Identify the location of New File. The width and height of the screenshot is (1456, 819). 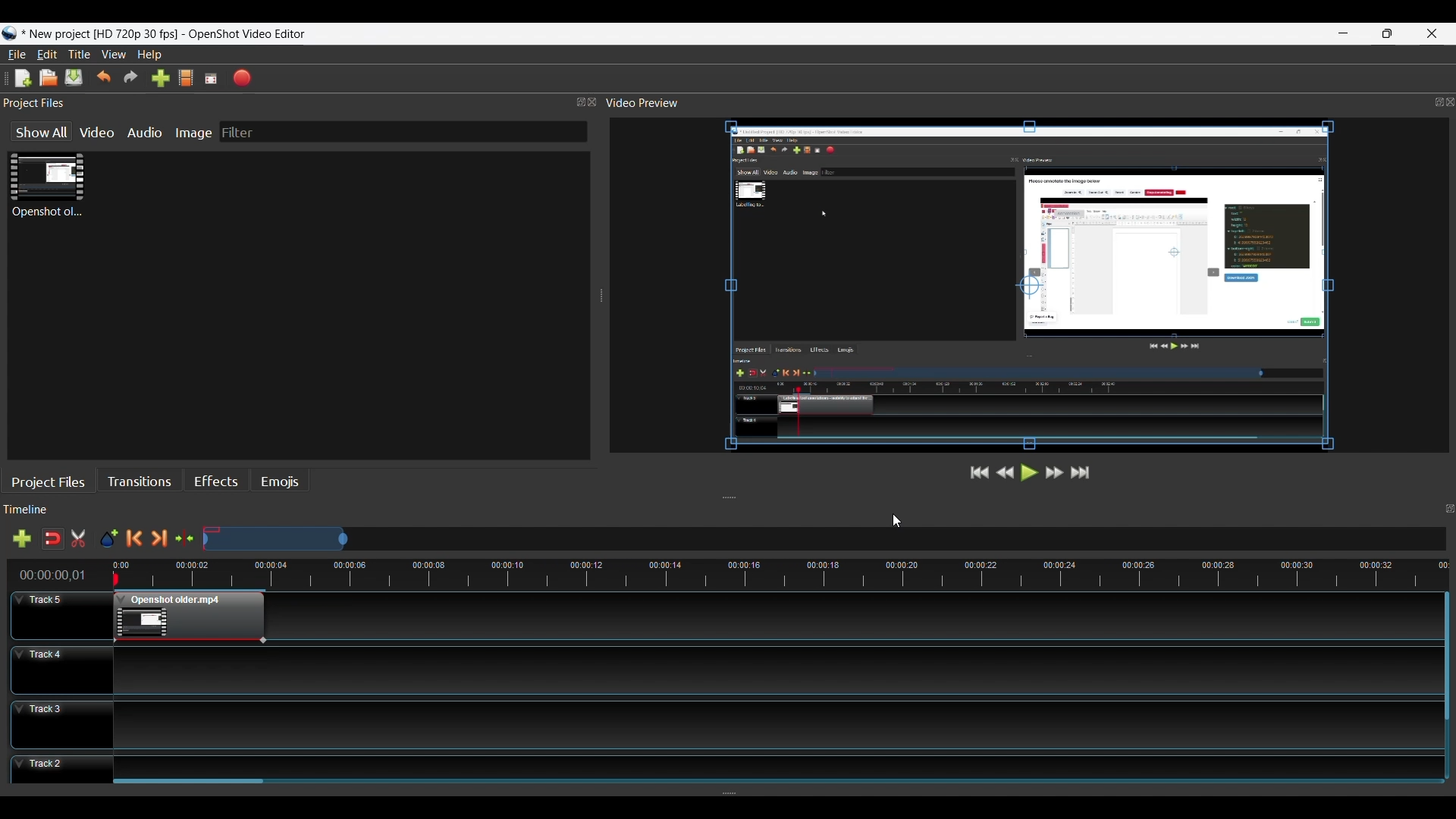
(19, 78).